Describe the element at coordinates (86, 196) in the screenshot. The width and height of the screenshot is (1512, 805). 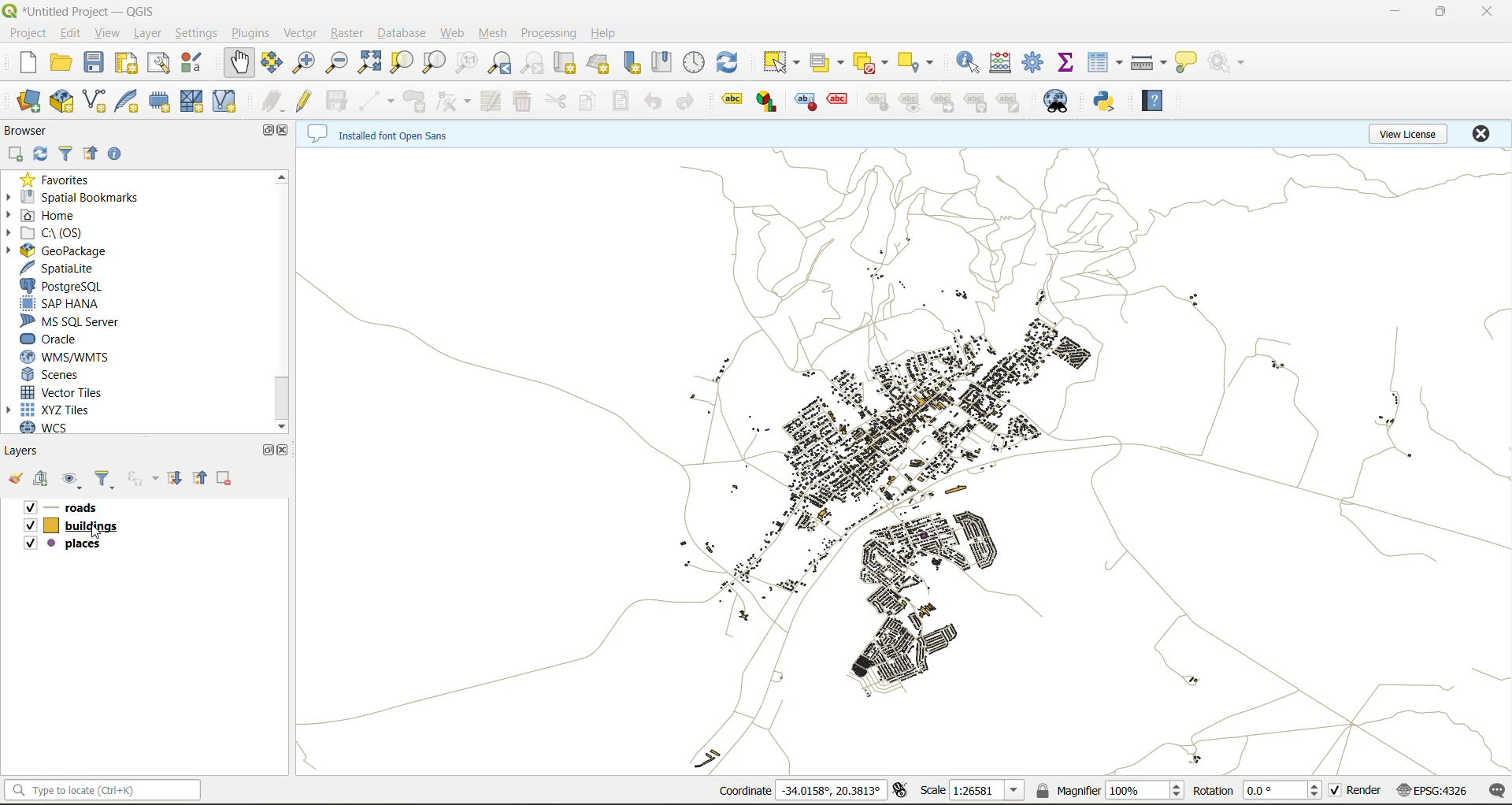
I see `spatial bookmarks` at that location.